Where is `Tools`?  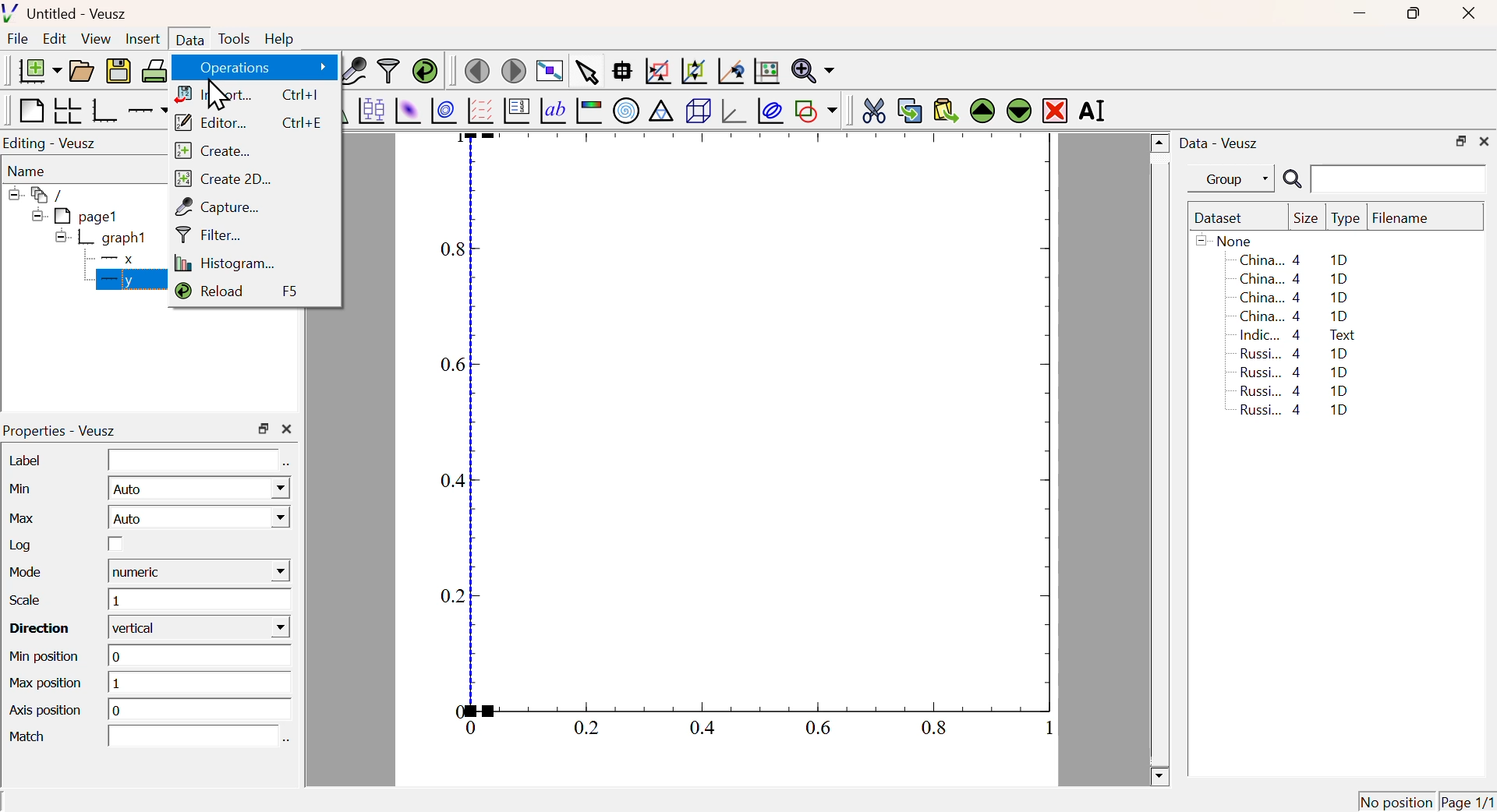
Tools is located at coordinates (234, 40).